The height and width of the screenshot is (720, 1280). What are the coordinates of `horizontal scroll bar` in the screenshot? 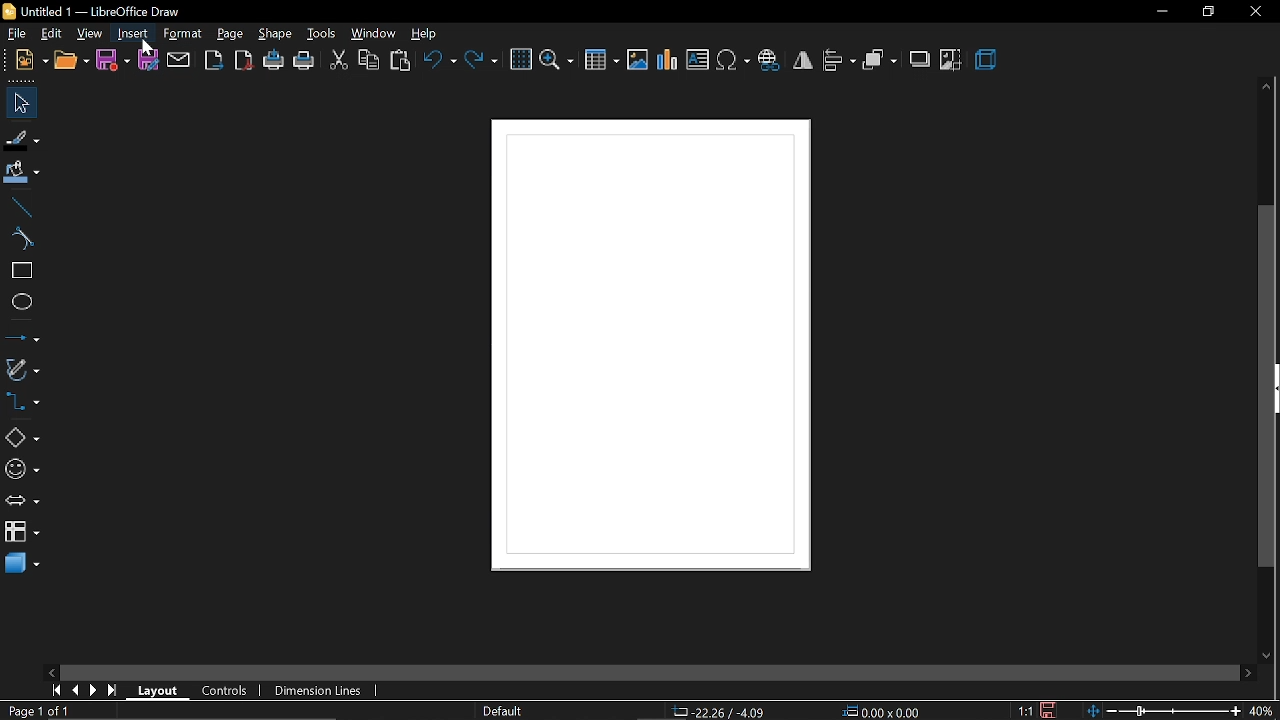 It's located at (653, 674).